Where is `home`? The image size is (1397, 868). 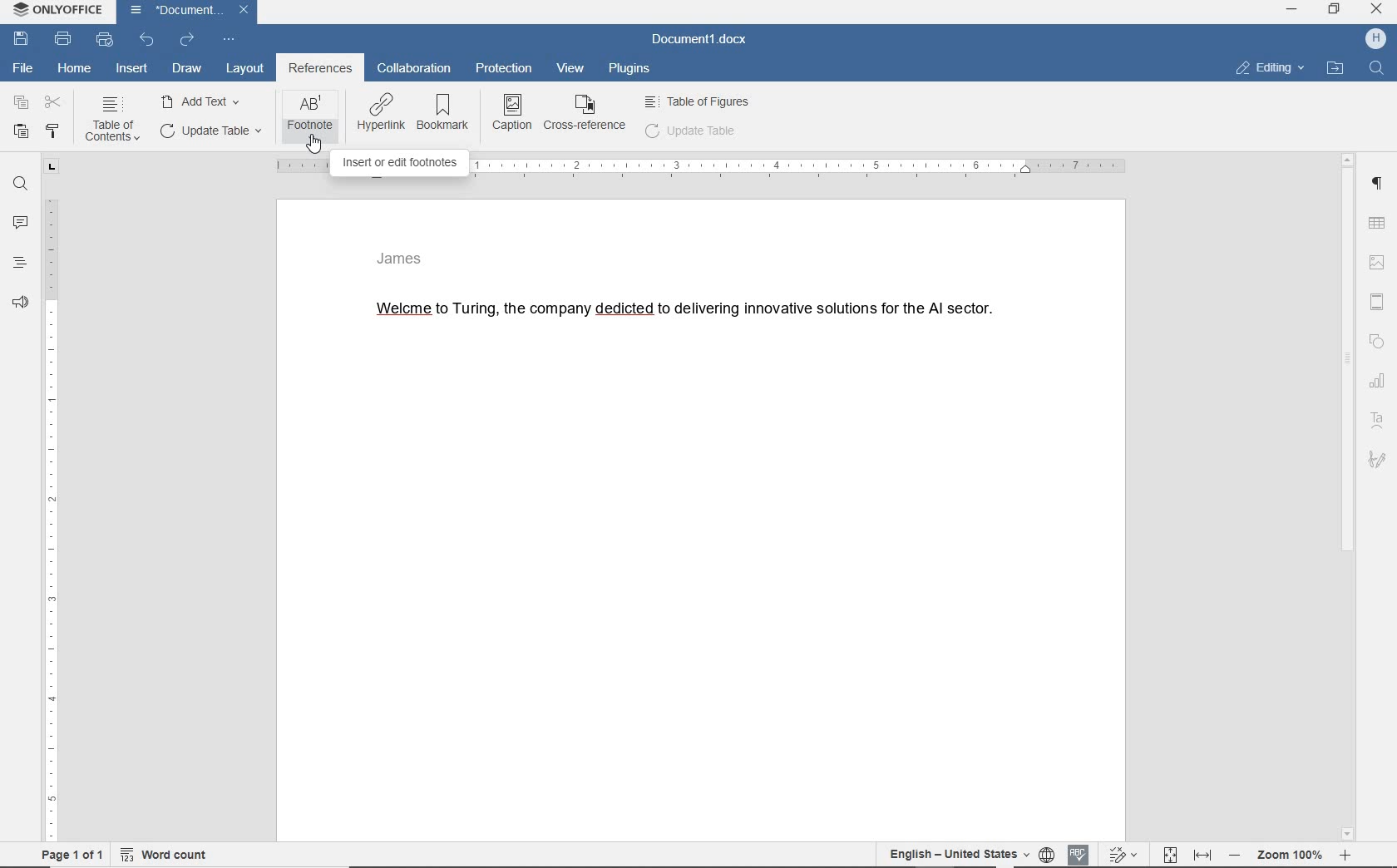 home is located at coordinates (73, 69).